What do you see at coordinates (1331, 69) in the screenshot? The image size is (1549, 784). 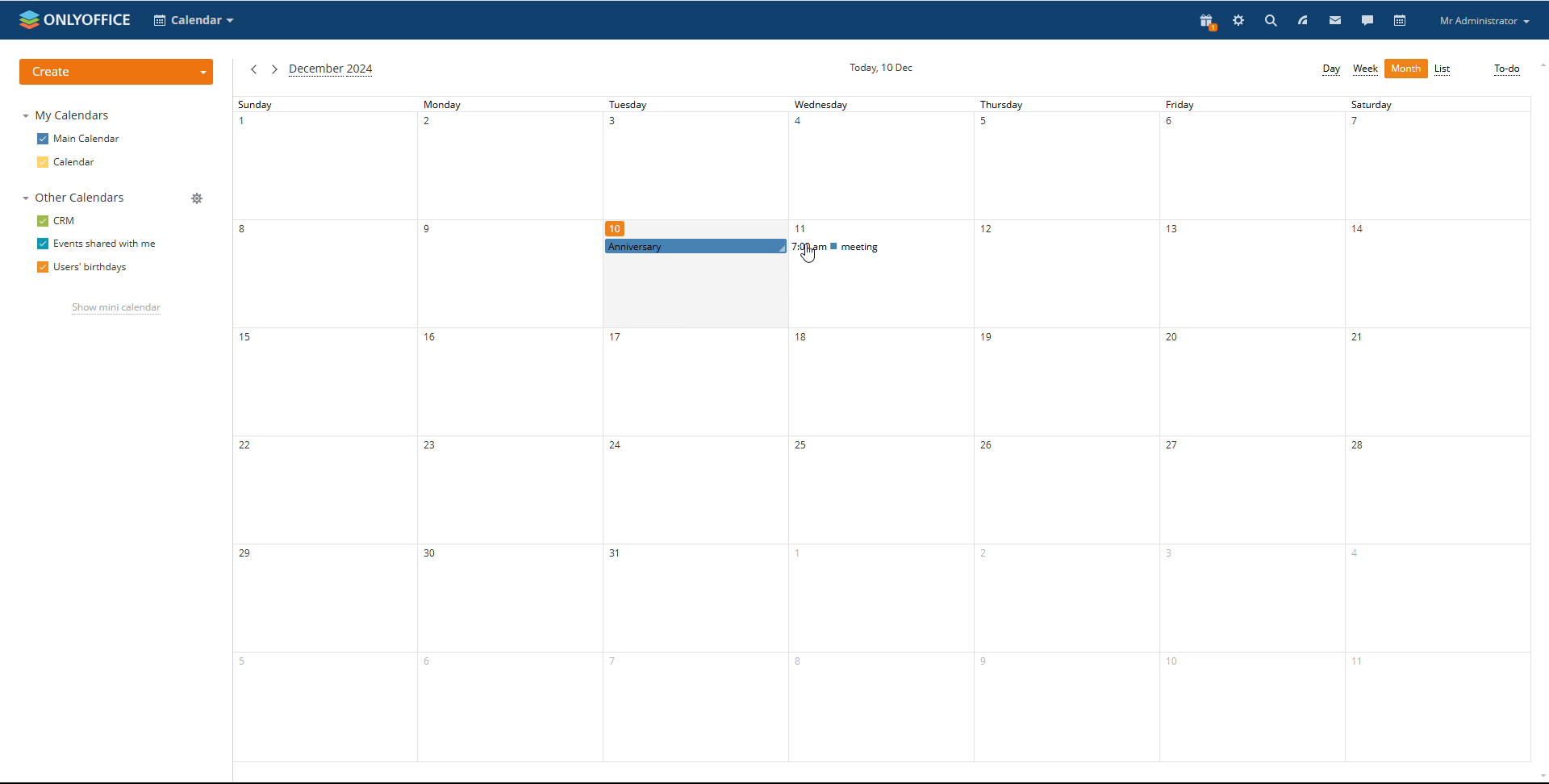 I see `day view` at bounding box center [1331, 69].